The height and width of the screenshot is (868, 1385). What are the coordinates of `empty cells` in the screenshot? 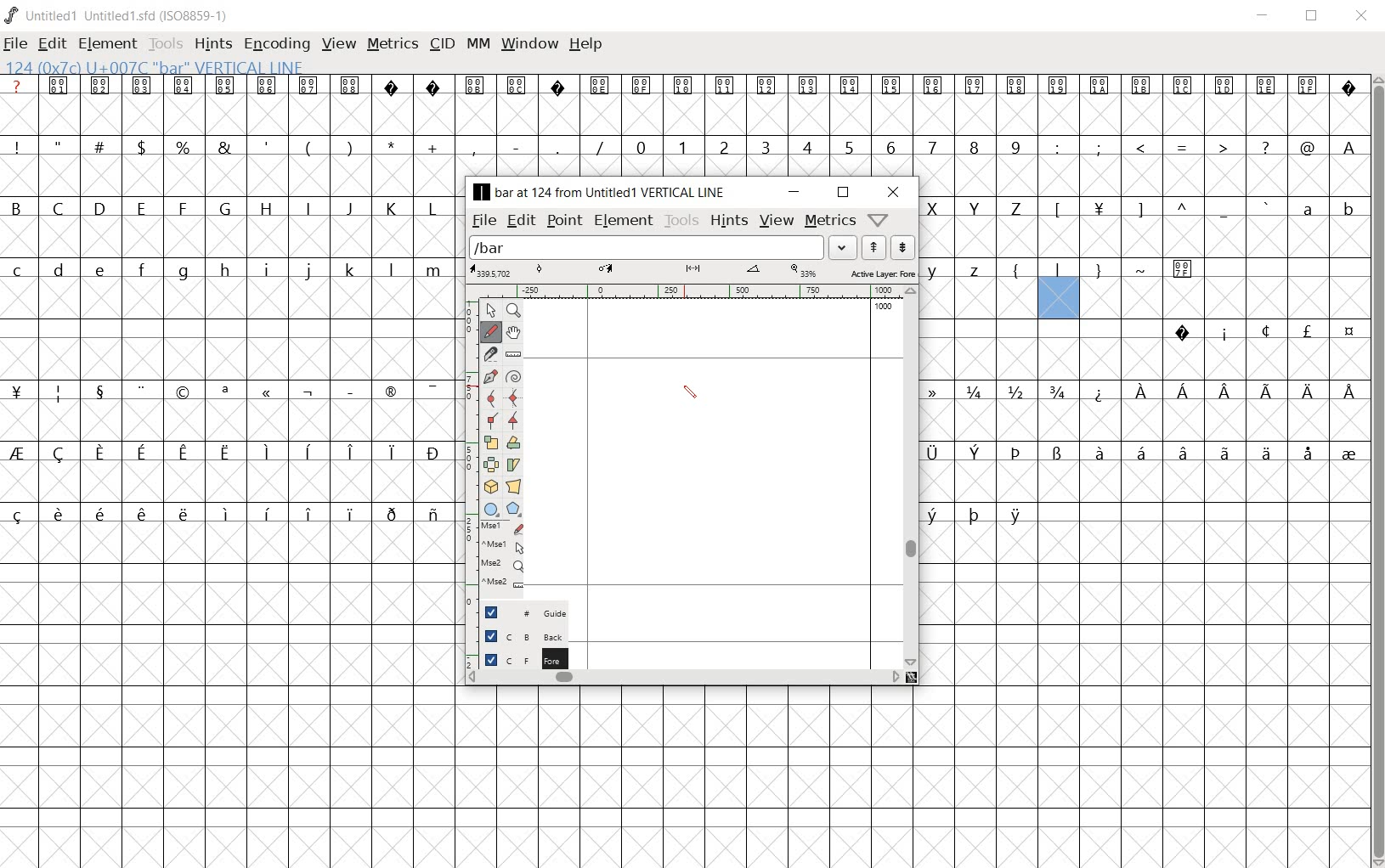 It's located at (911, 775).